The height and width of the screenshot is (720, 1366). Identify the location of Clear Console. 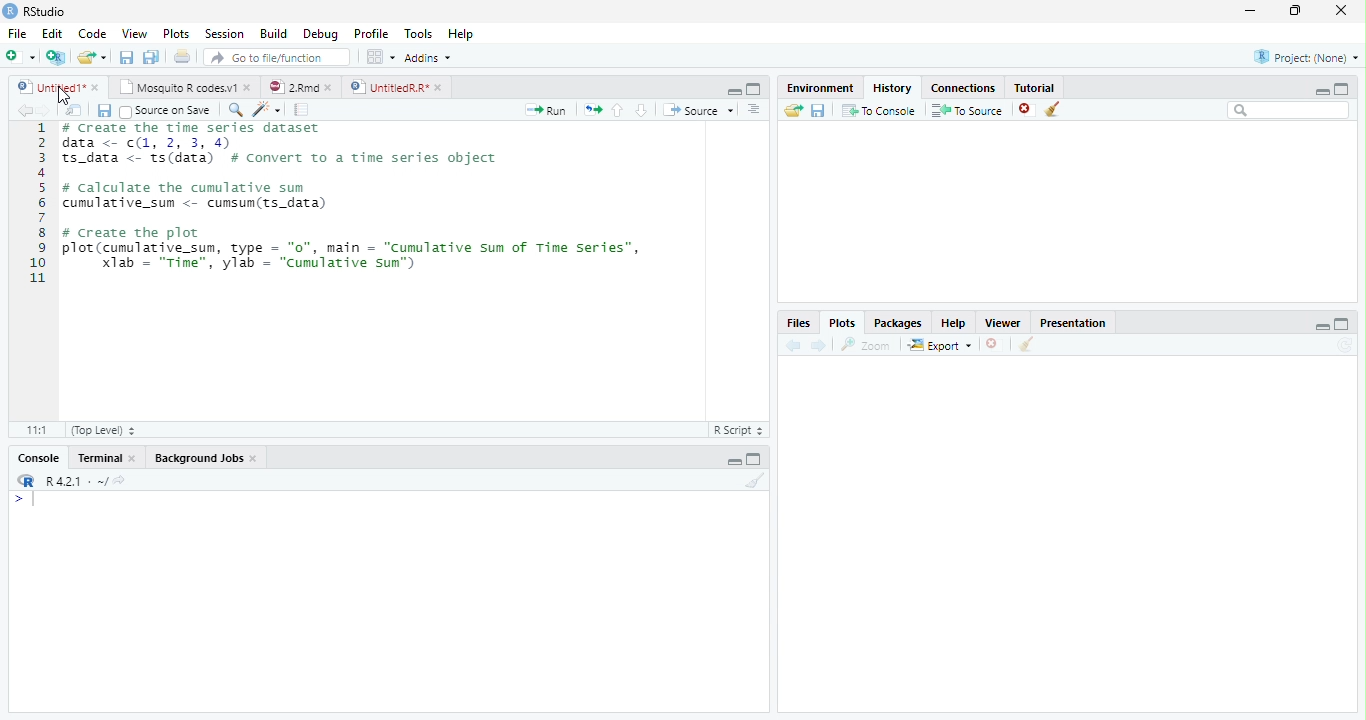
(1026, 346).